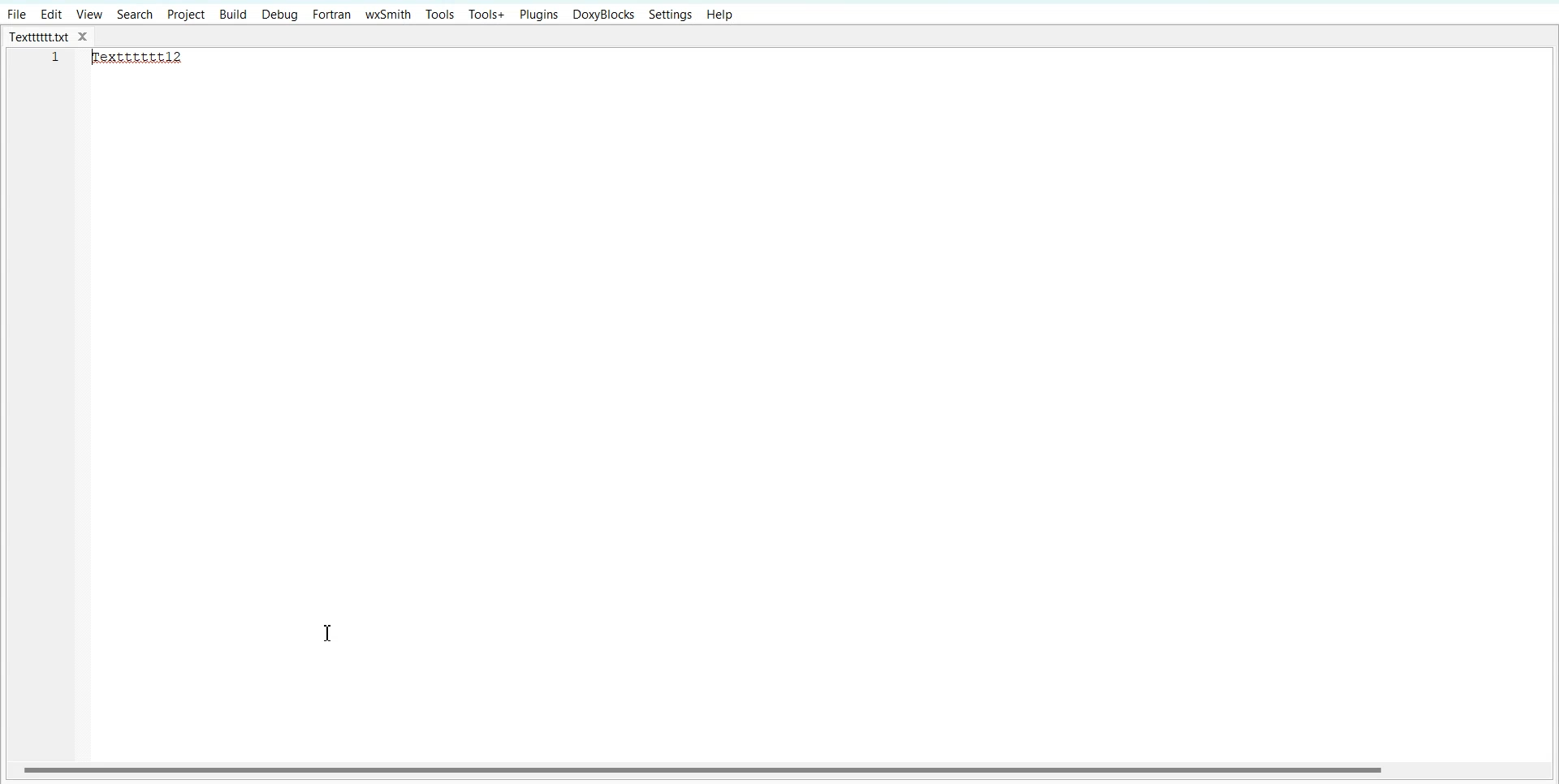 The image size is (1559, 784). What do you see at coordinates (603, 15) in the screenshot?
I see `DoxyBlocks` at bounding box center [603, 15].